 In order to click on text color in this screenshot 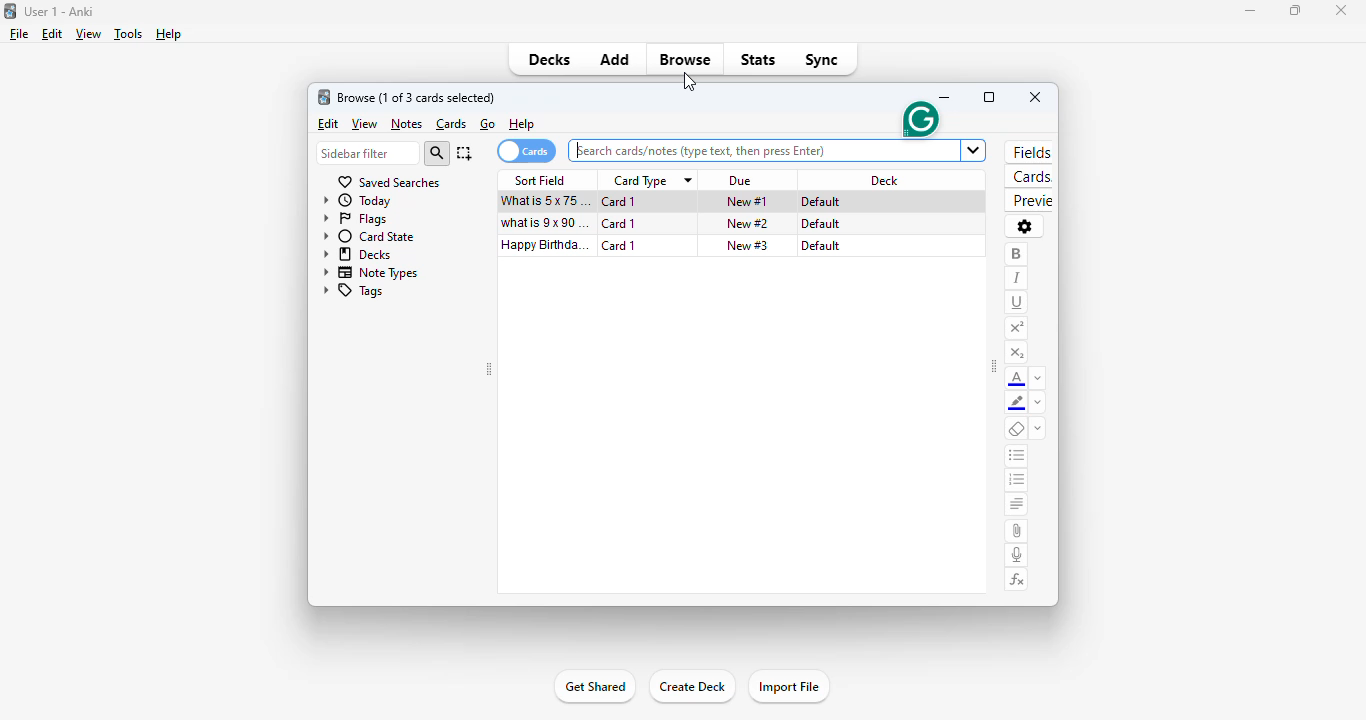, I will do `click(1018, 378)`.